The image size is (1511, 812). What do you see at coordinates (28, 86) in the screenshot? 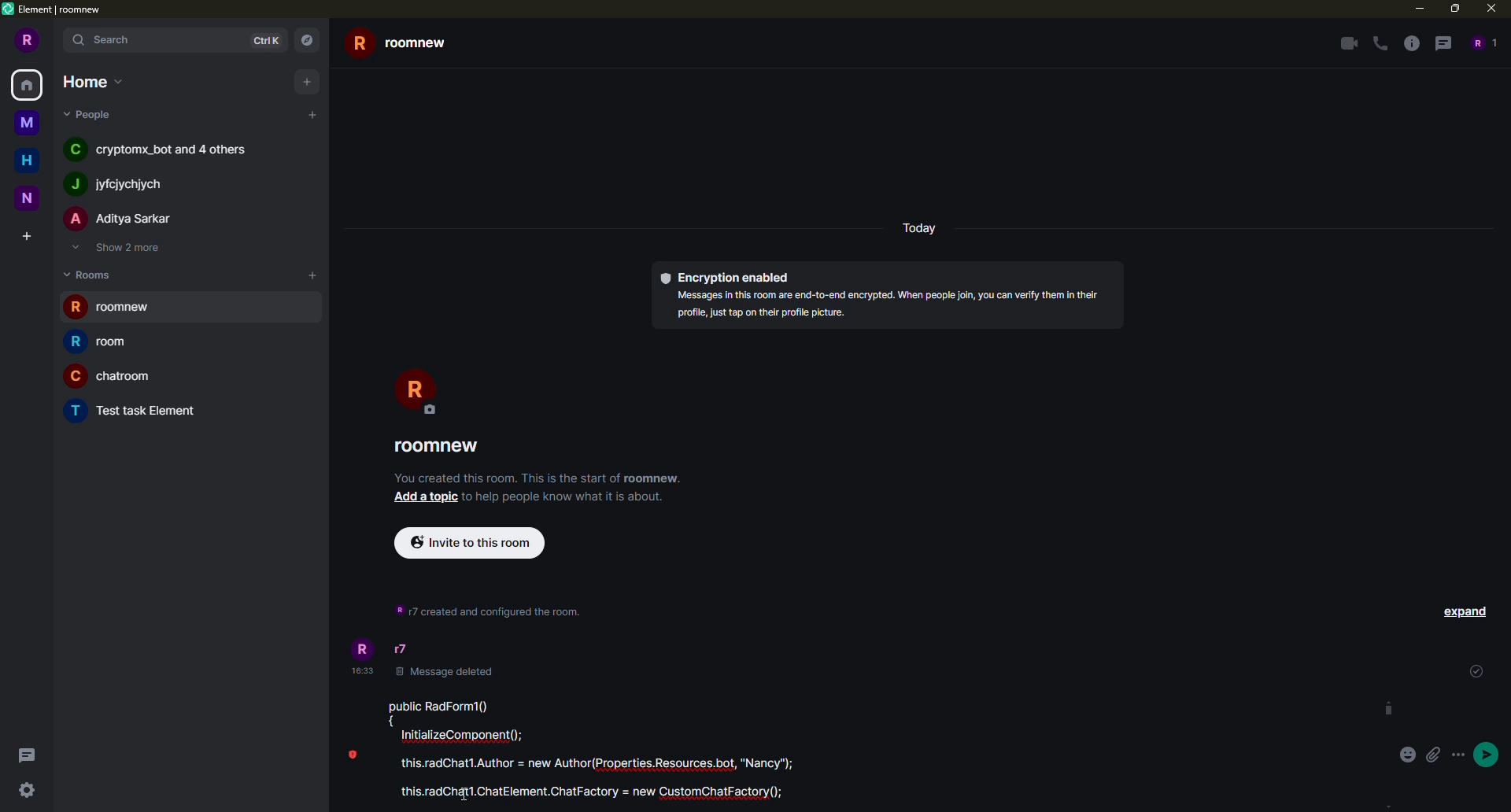
I see `home` at bounding box center [28, 86].